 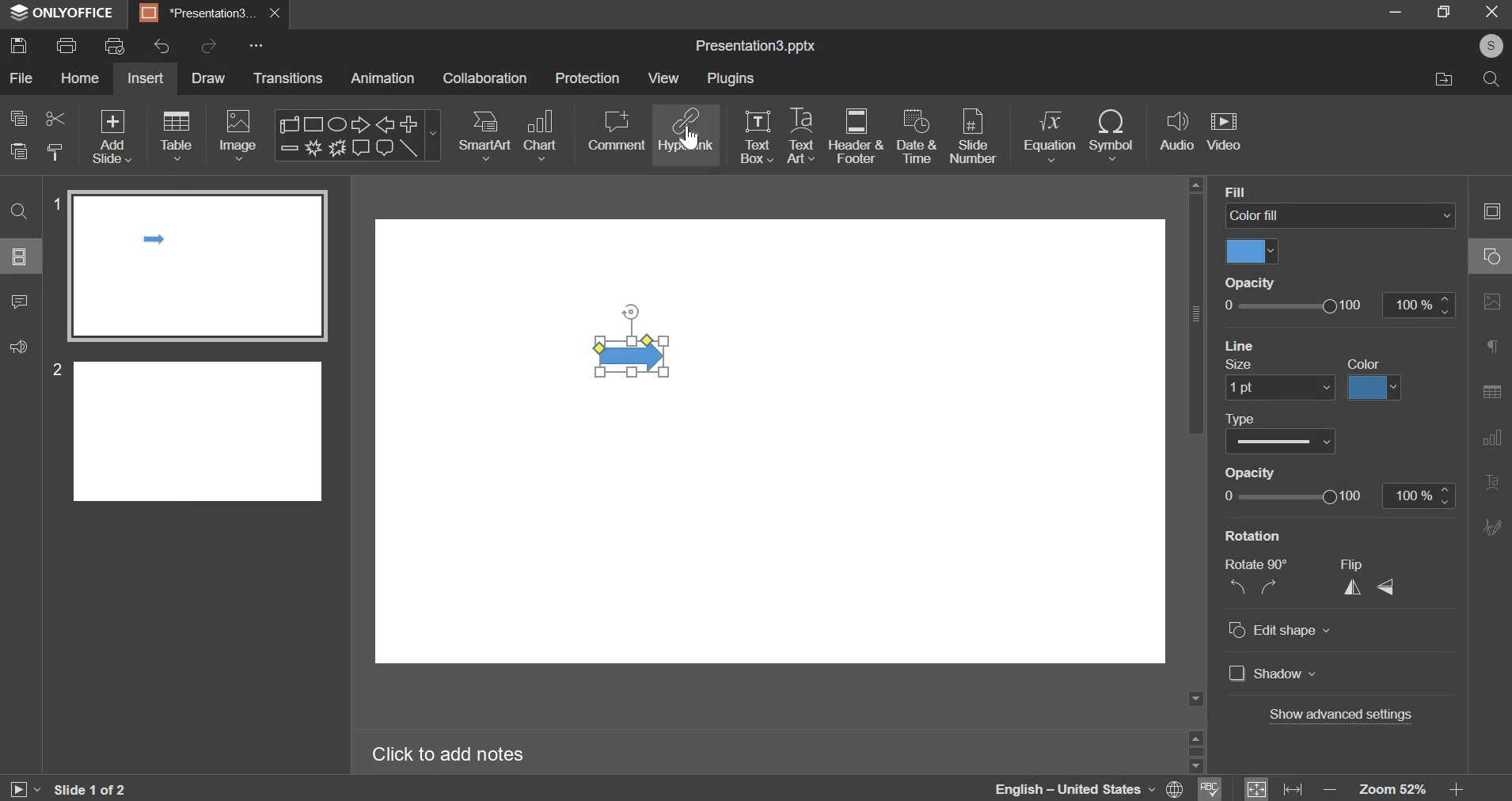 I want to click on active slide out of total slides, so click(x=90, y=789).